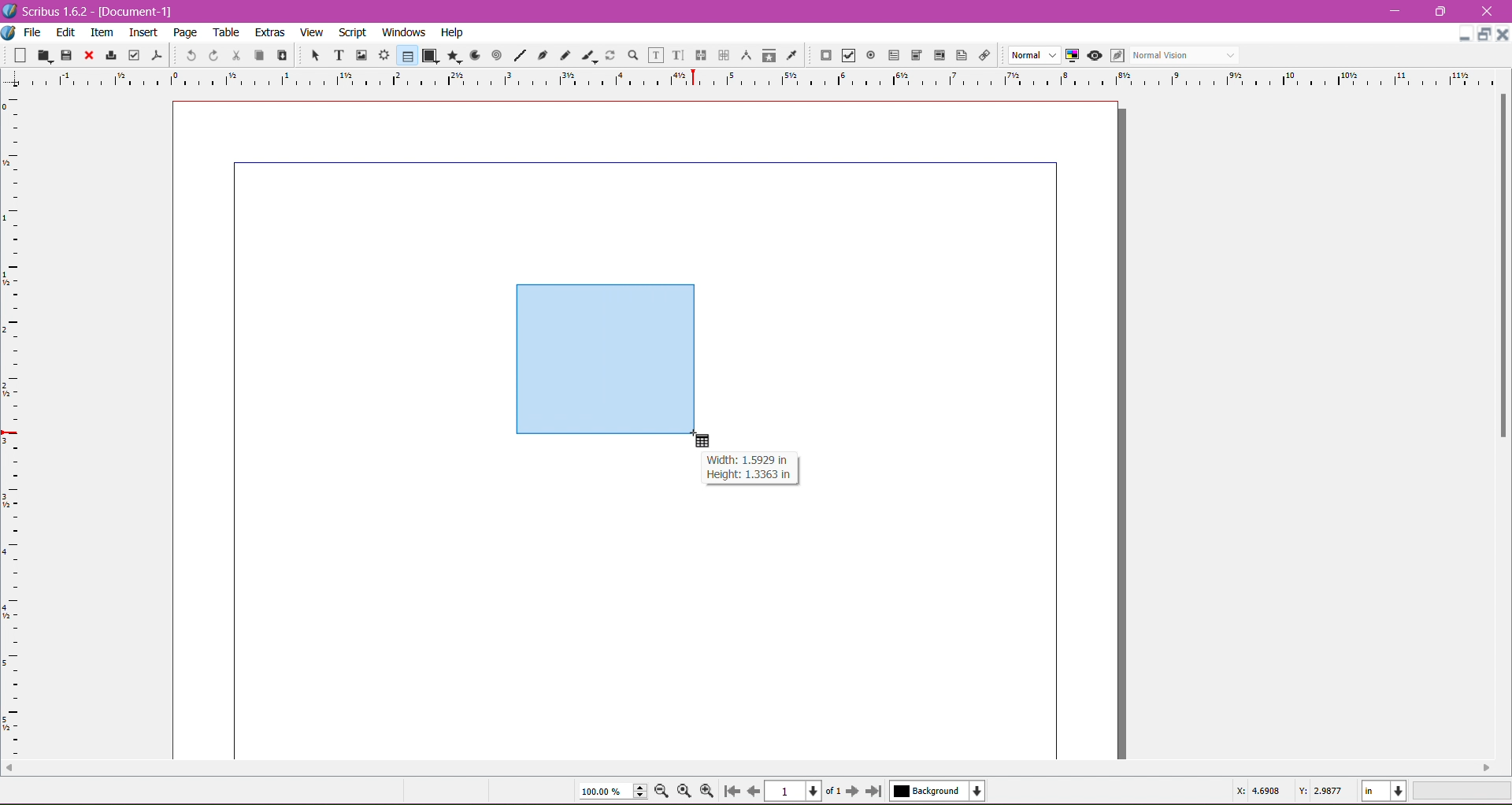 This screenshot has width=1512, height=805. What do you see at coordinates (183, 32) in the screenshot?
I see `Page` at bounding box center [183, 32].